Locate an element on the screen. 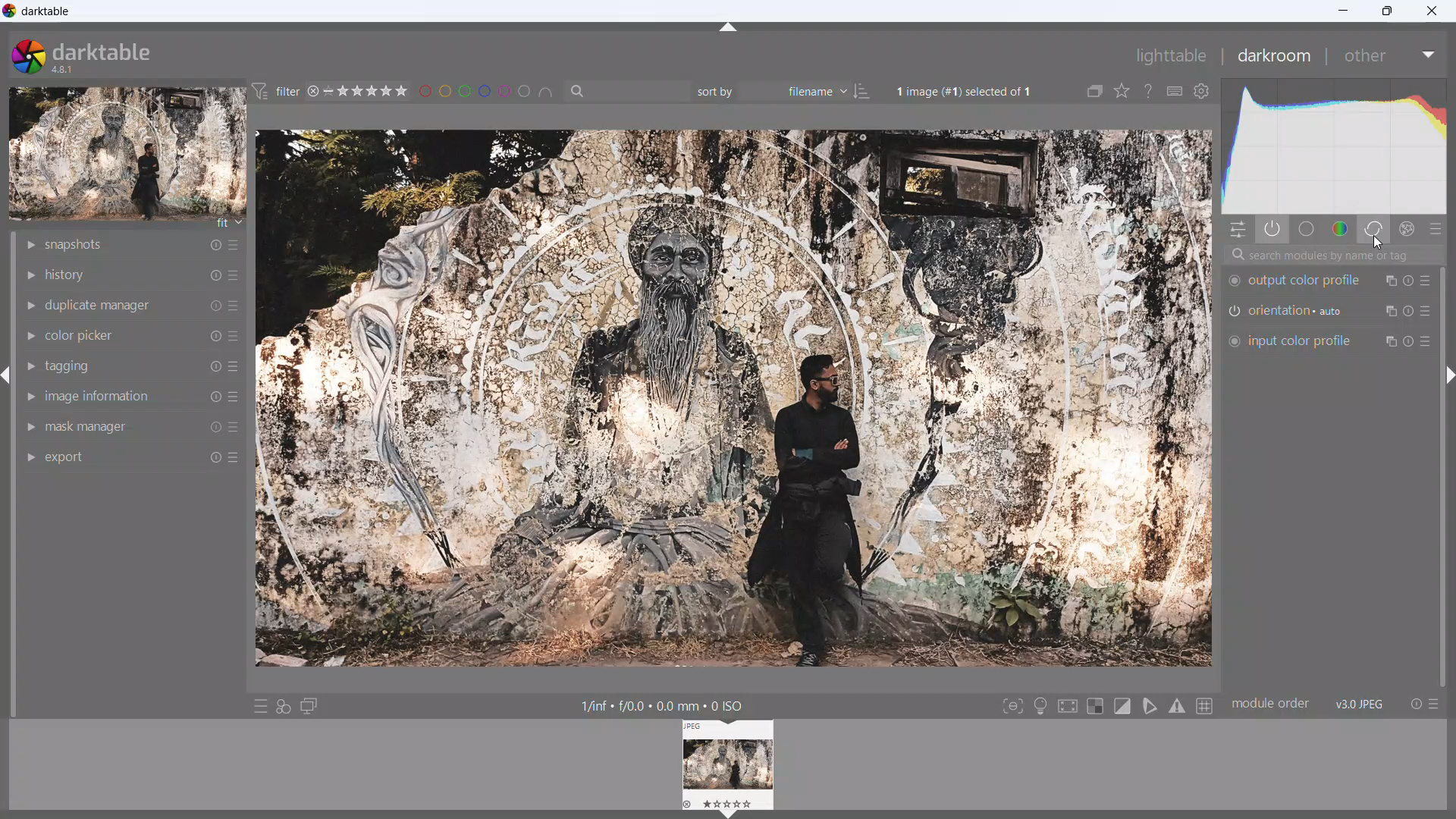 The width and height of the screenshot is (1456, 819). multiple instance actions is located at coordinates (1392, 281).